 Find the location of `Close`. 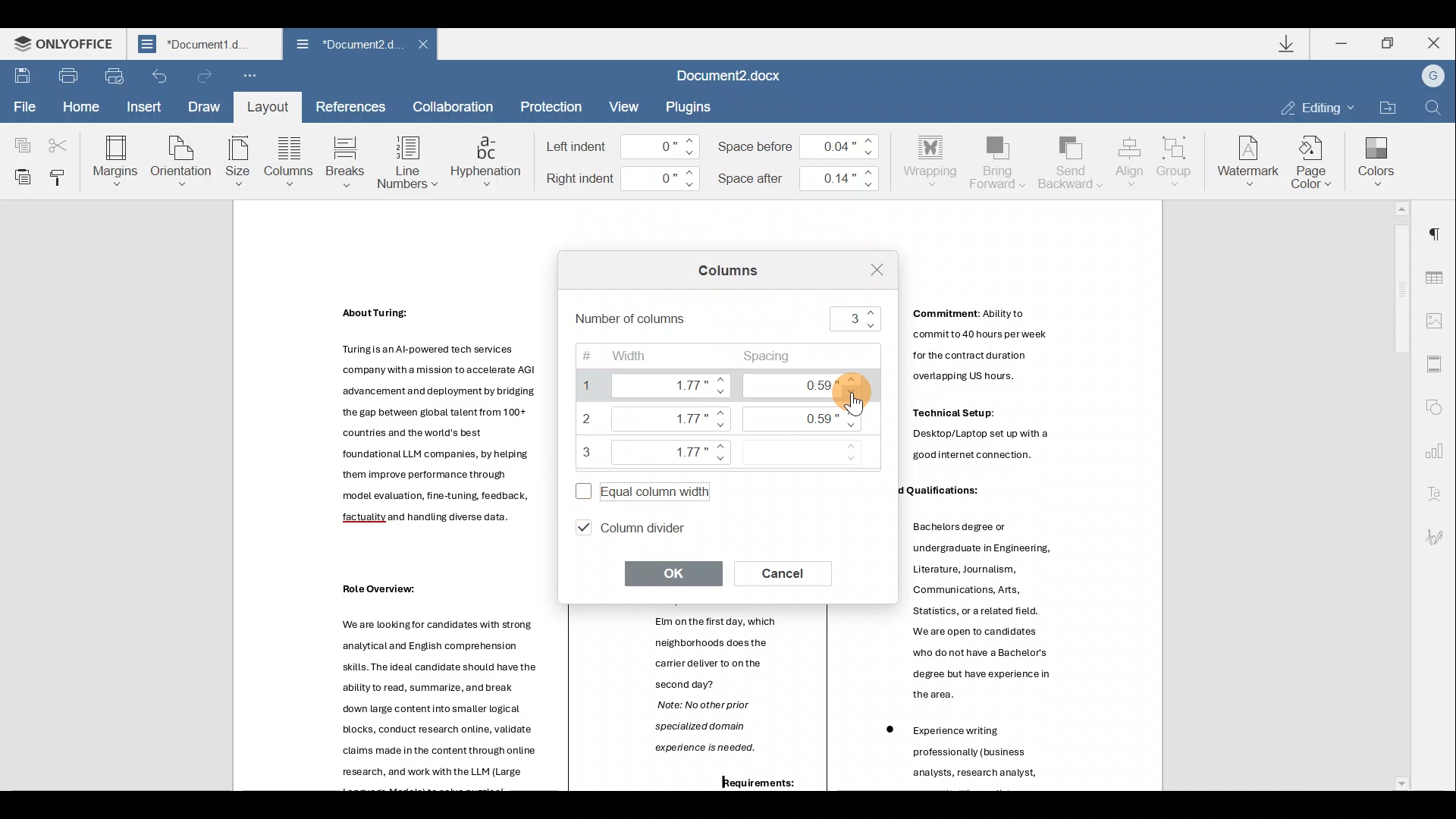

Close is located at coordinates (428, 46).